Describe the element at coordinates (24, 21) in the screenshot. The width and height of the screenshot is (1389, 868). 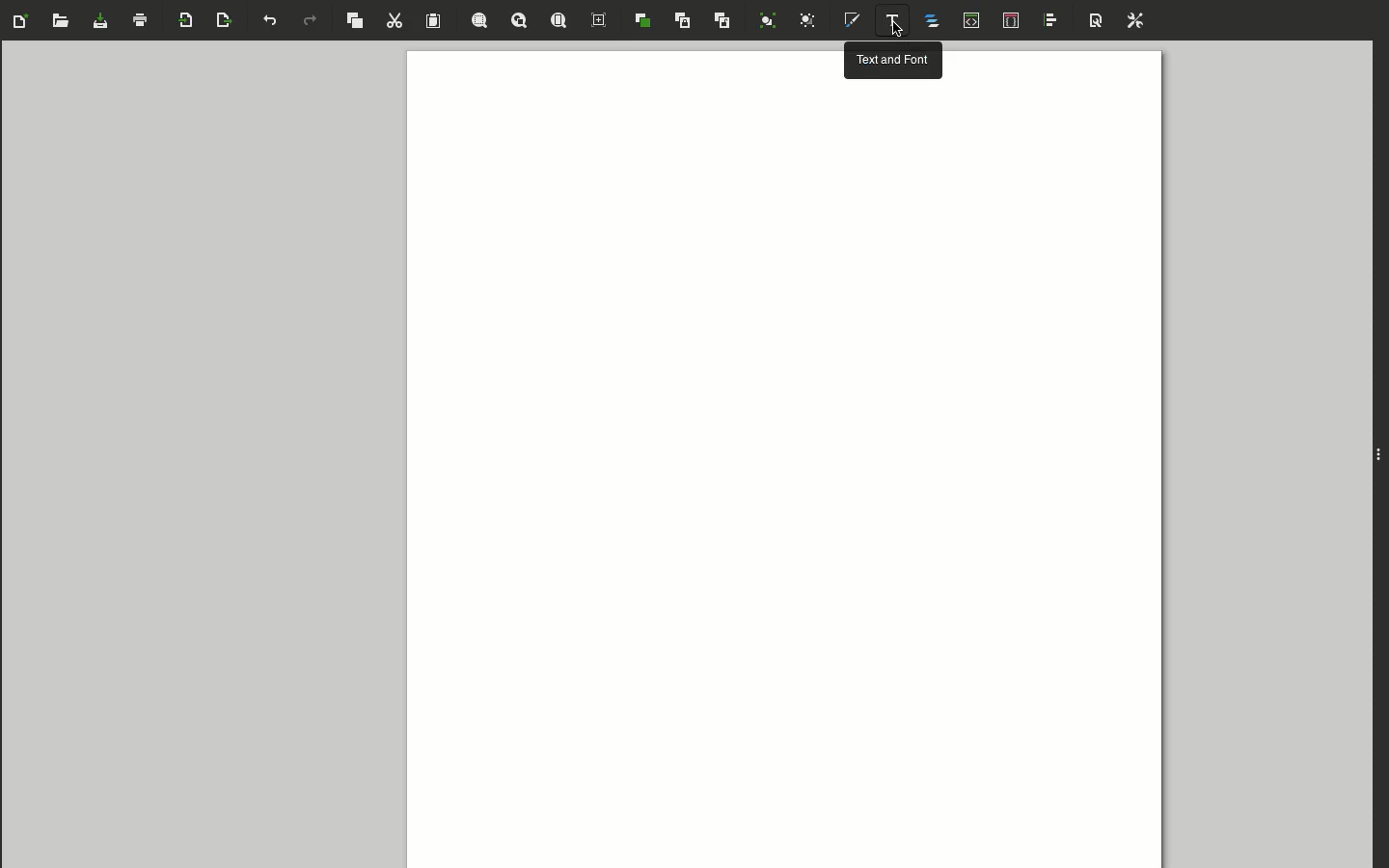
I see `Create new document` at that location.